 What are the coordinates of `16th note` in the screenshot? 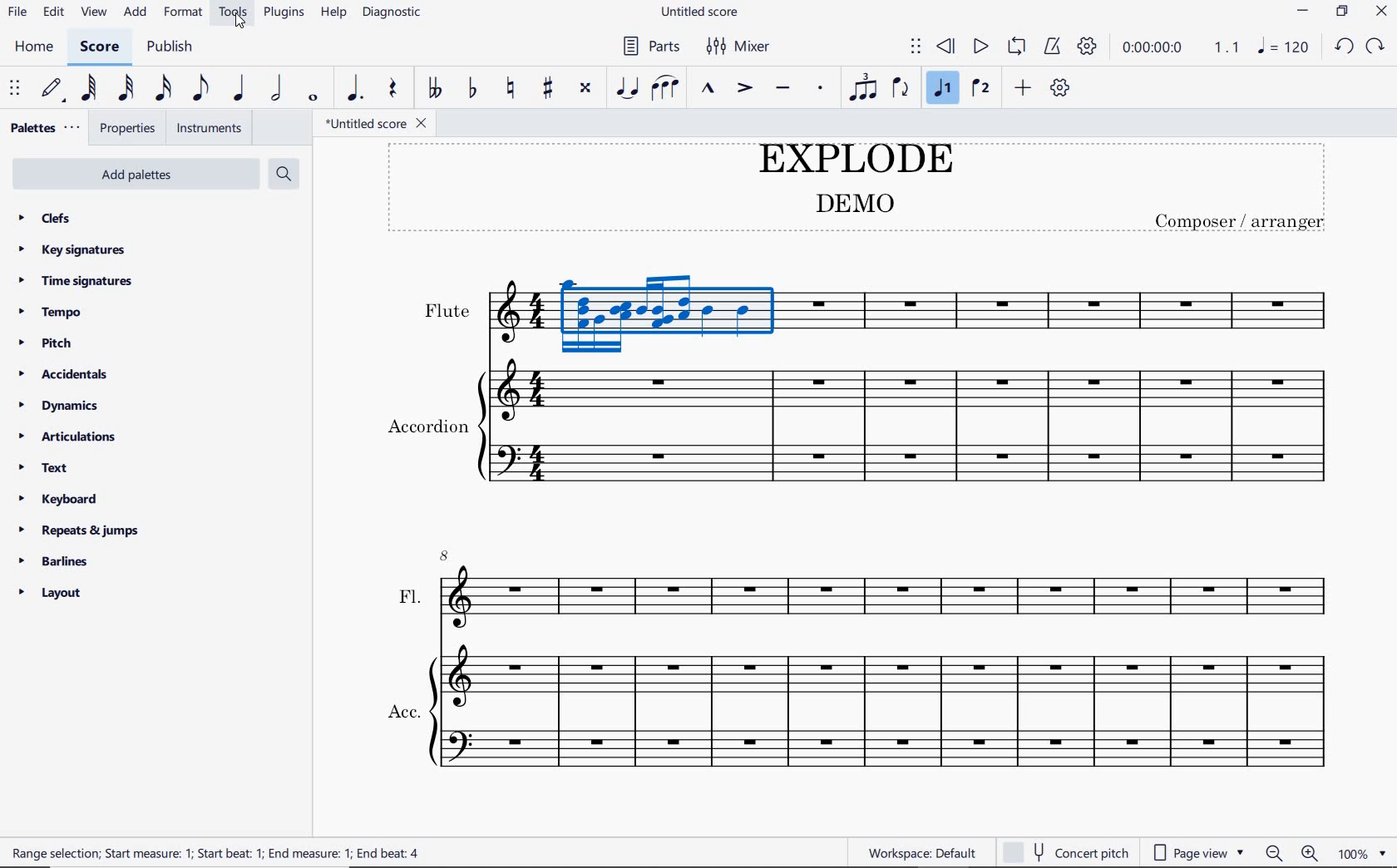 It's located at (165, 90).